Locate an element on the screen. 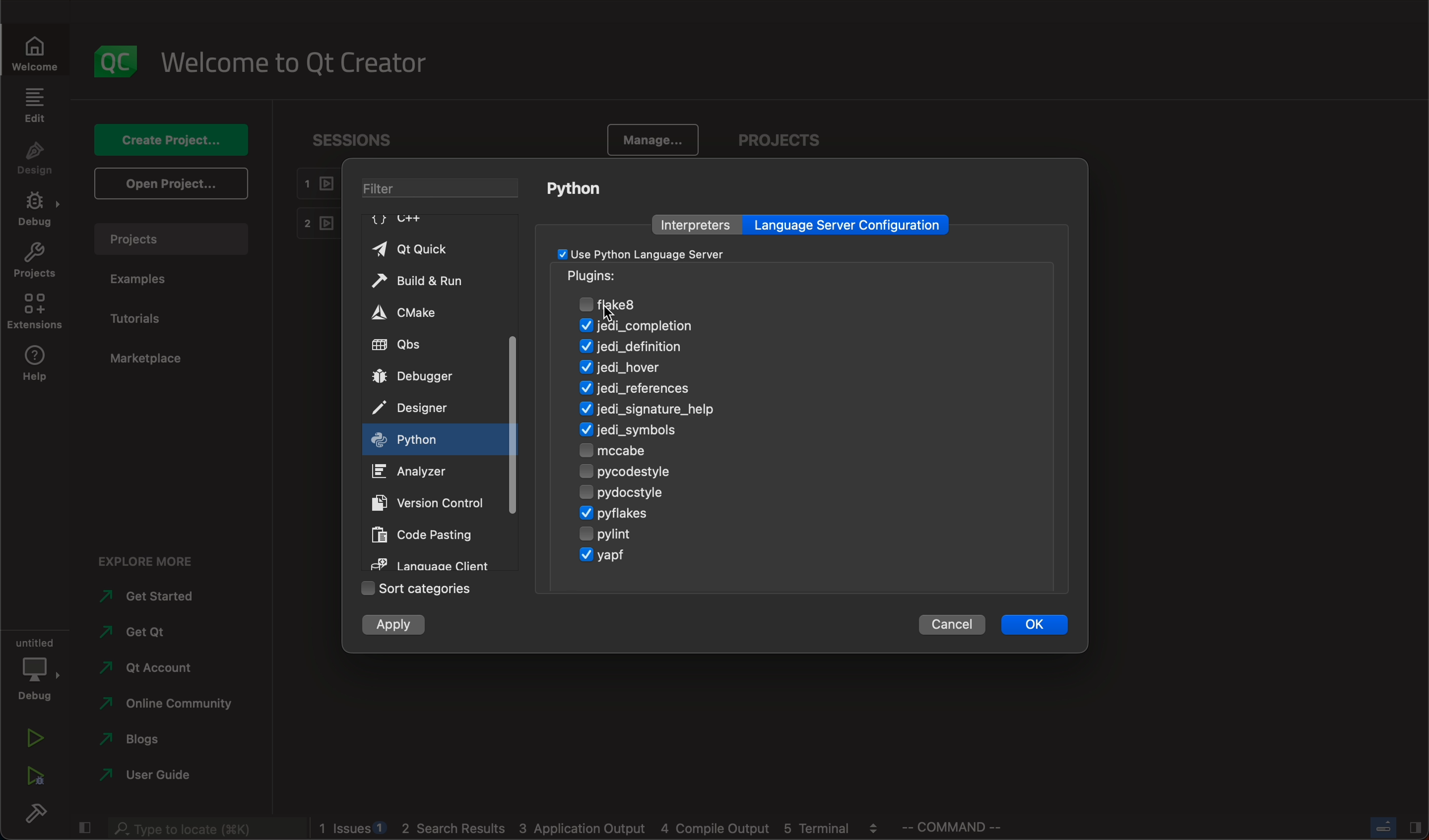  logo is located at coordinates (111, 62).